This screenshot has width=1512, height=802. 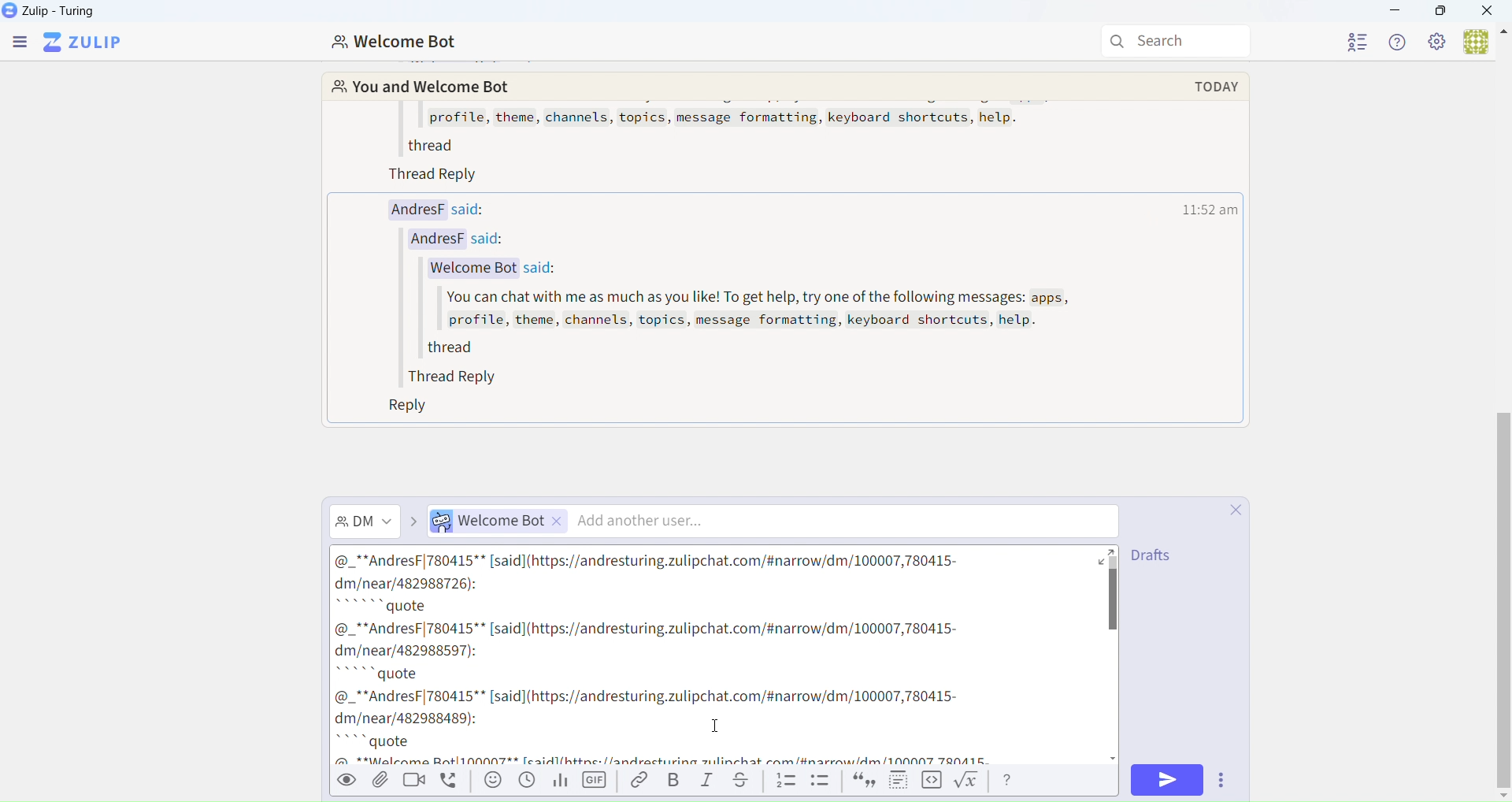 I want to click on time, so click(x=1211, y=208).